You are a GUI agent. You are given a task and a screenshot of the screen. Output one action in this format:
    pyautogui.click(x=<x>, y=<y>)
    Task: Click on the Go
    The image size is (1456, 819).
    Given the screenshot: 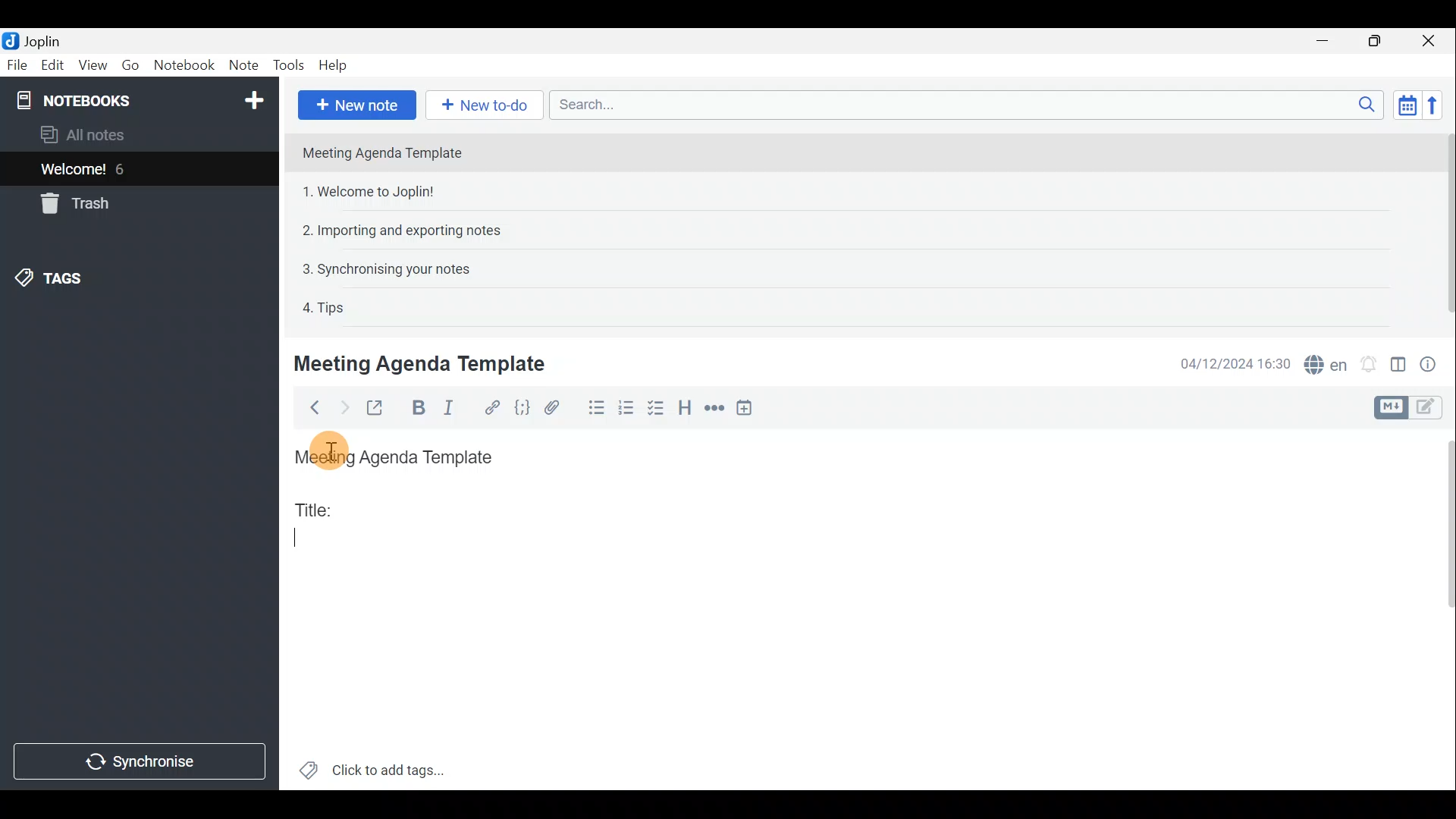 What is the action you would take?
    pyautogui.click(x=130, y=64)
    